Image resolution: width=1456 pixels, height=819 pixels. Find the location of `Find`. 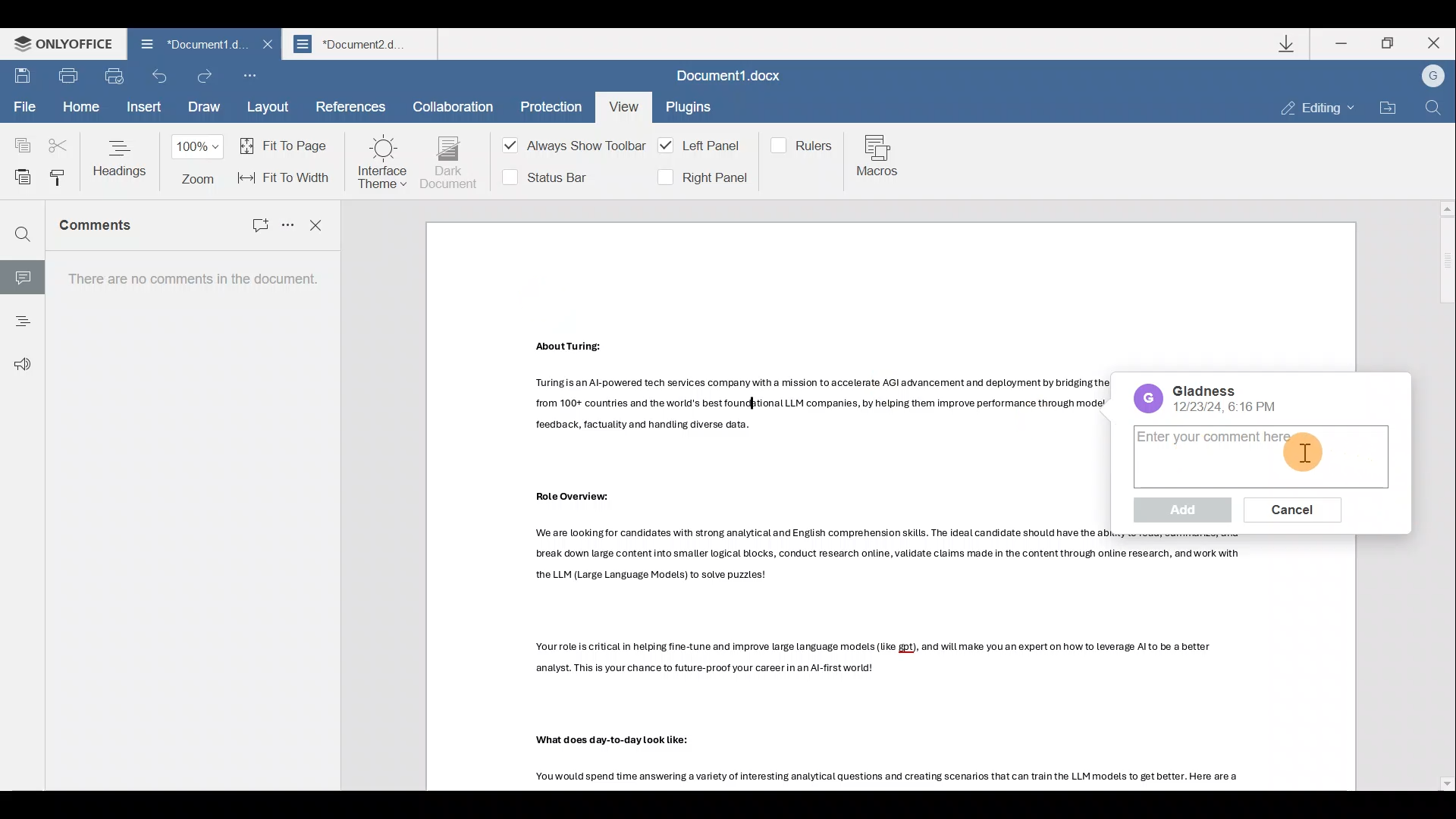

Find is located at coordinates (1433, 108).